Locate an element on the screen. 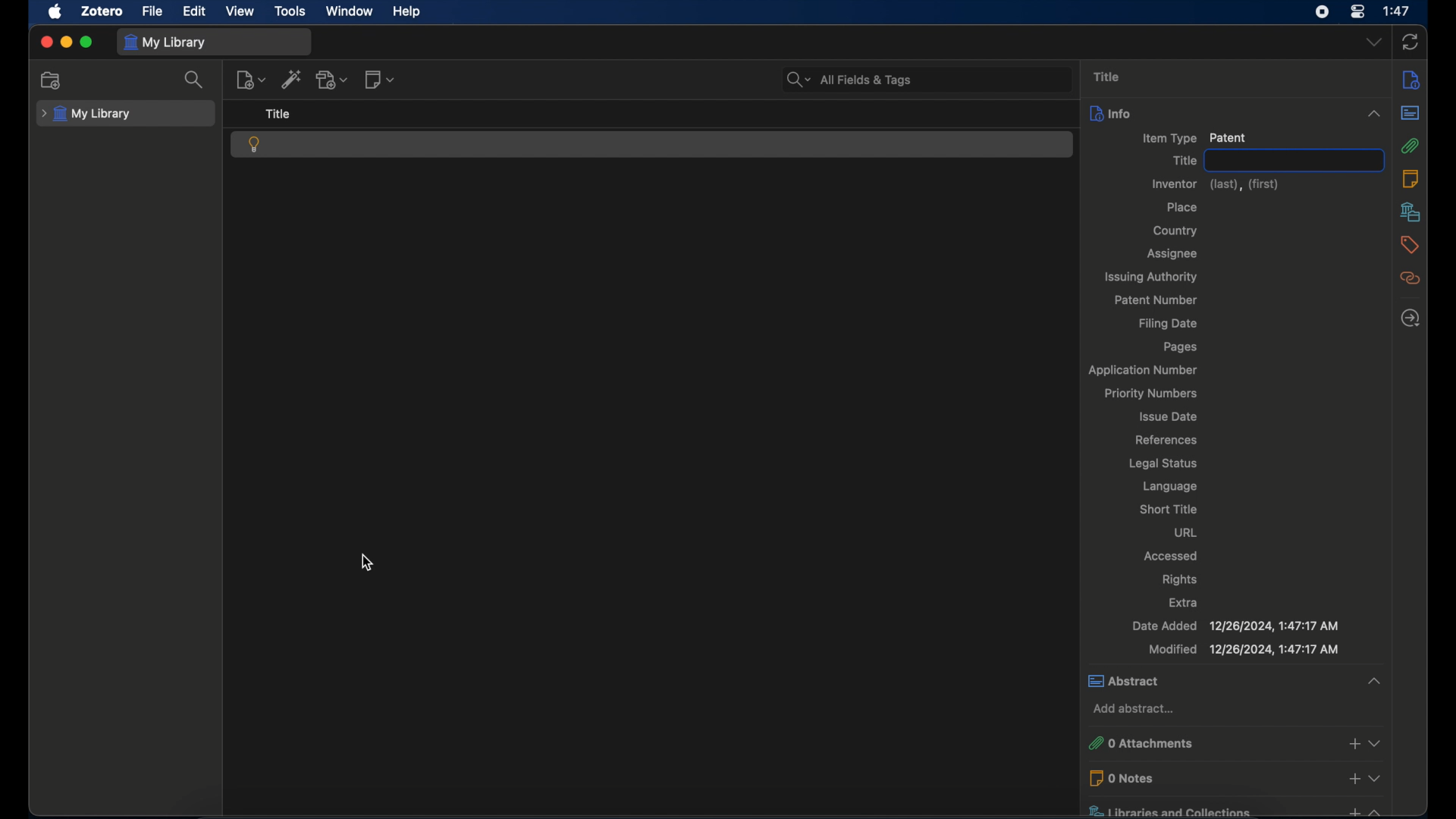 This screenshot has height=819, width=1456. accessed is located at coordinates (1173, 556).